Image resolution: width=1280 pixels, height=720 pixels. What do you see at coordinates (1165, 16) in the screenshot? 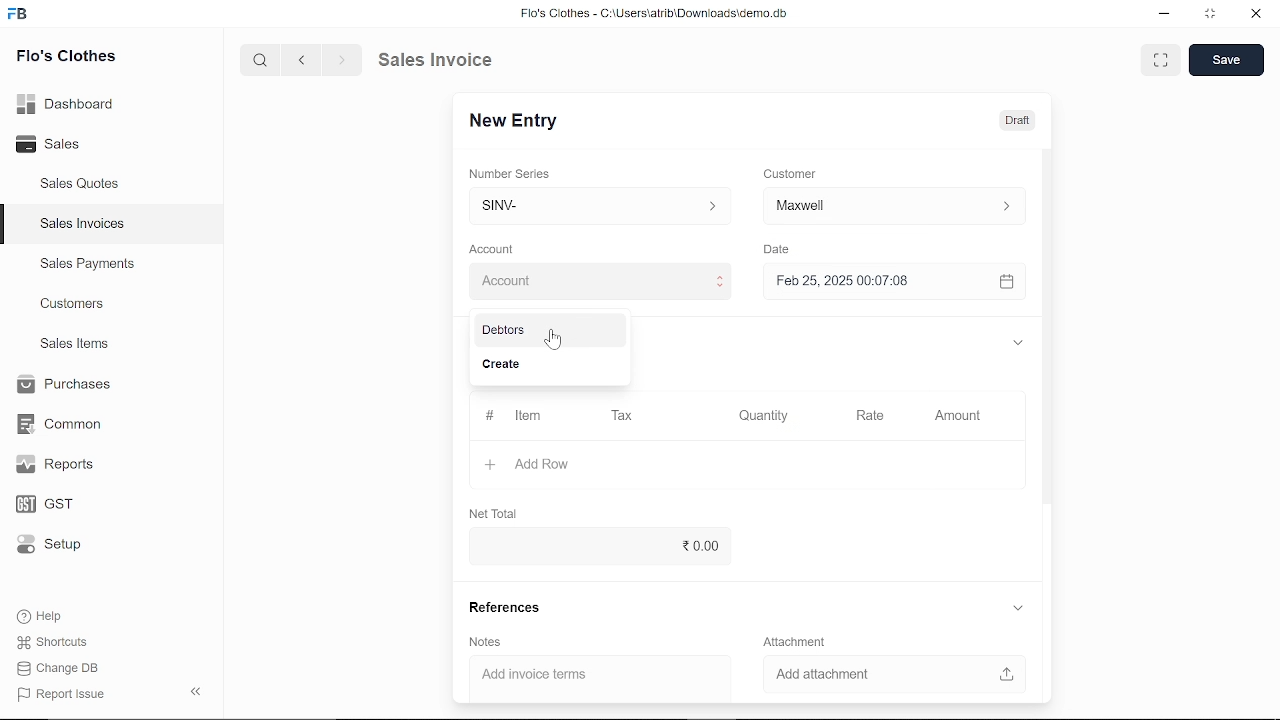
I see `minimize` at bounding box center [1165, 16].